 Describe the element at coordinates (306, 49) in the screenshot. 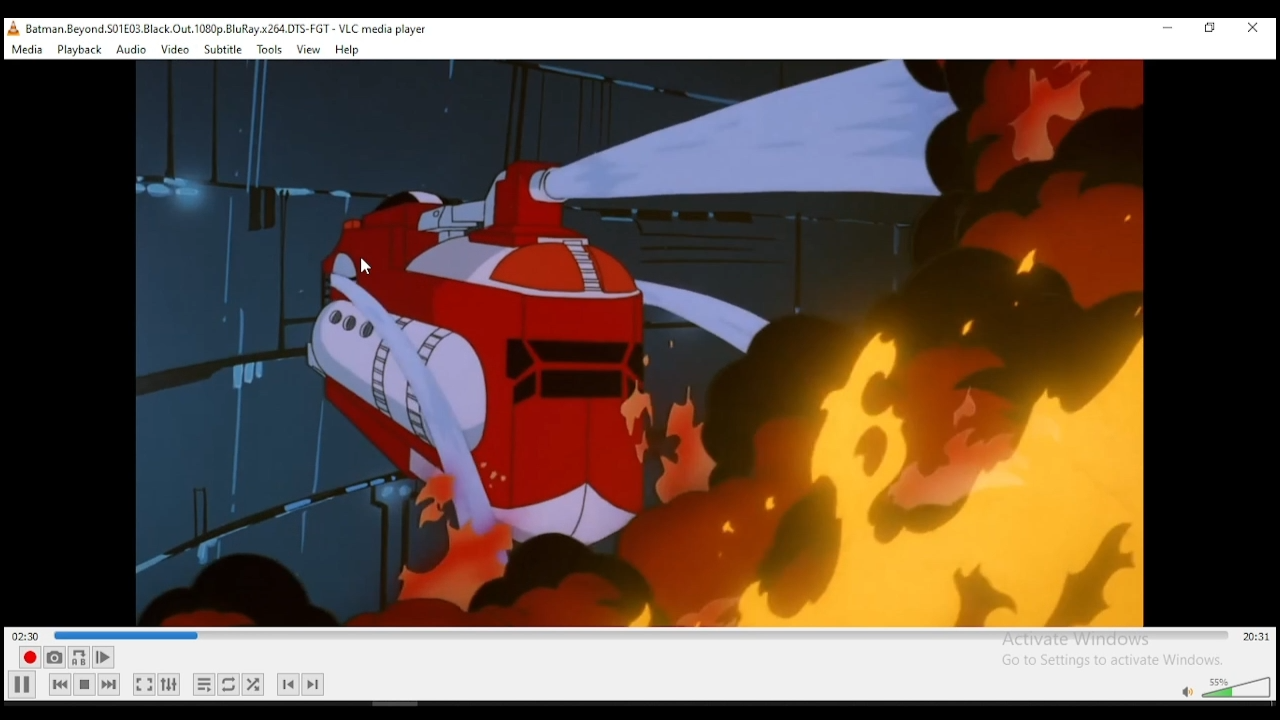

I see `view` at that location.